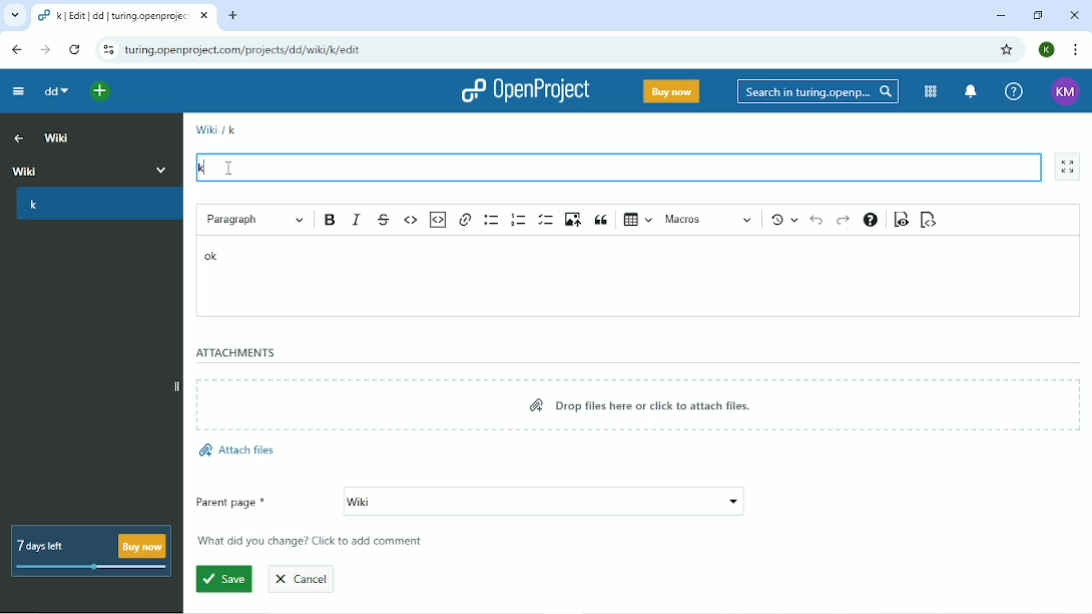  Describe the element at coordinates (1006, 49) in the screenshot. I see `Bookmark this tab` at that location.